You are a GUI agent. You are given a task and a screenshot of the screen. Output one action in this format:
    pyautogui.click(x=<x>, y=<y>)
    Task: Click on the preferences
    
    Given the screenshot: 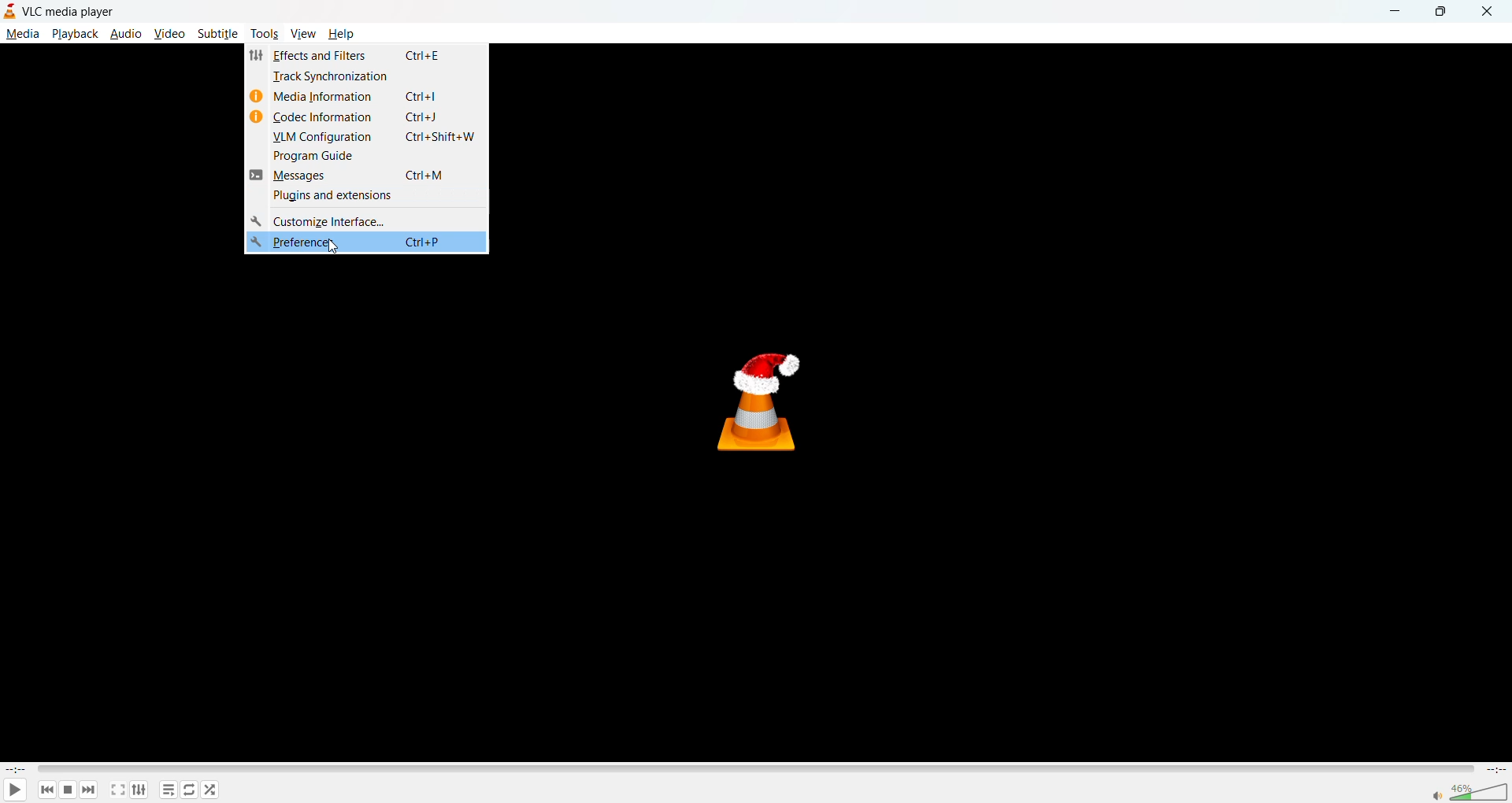 What is the action you would take?
    pyautogui.click(x=355, y=245)
    